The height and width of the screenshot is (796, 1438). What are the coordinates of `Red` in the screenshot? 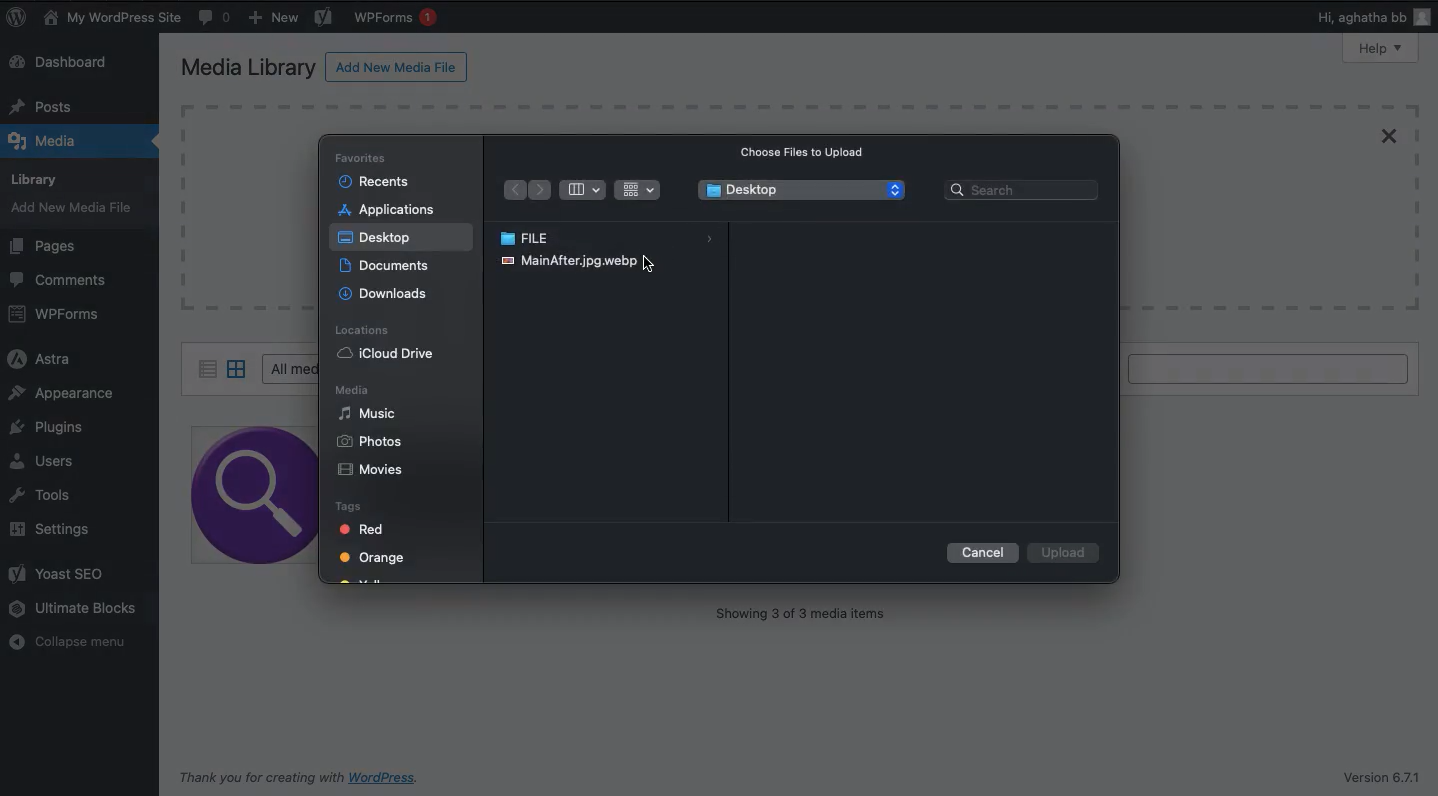 It's located at (354, 531).